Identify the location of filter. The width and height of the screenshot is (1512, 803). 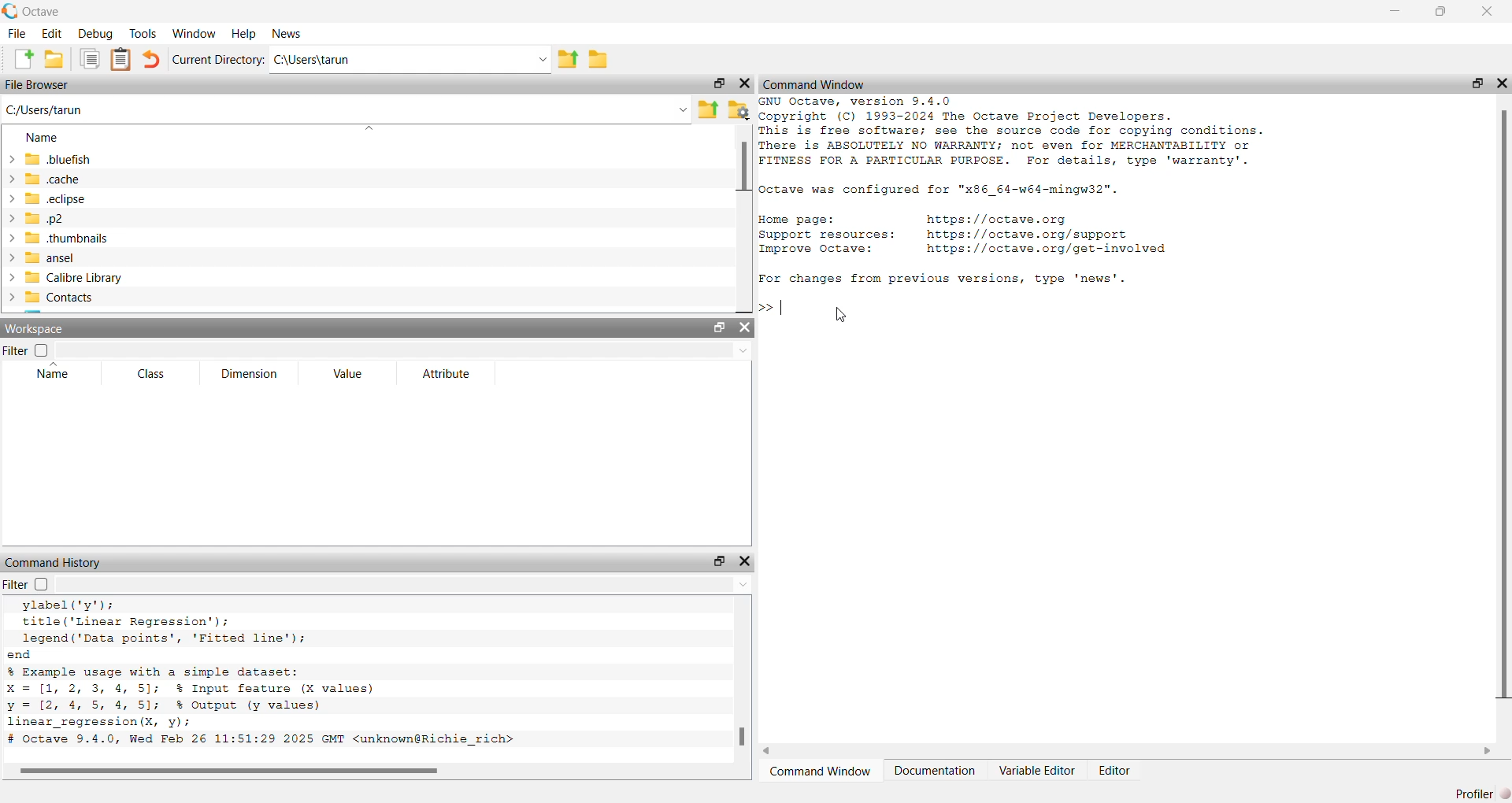
(28, 586).